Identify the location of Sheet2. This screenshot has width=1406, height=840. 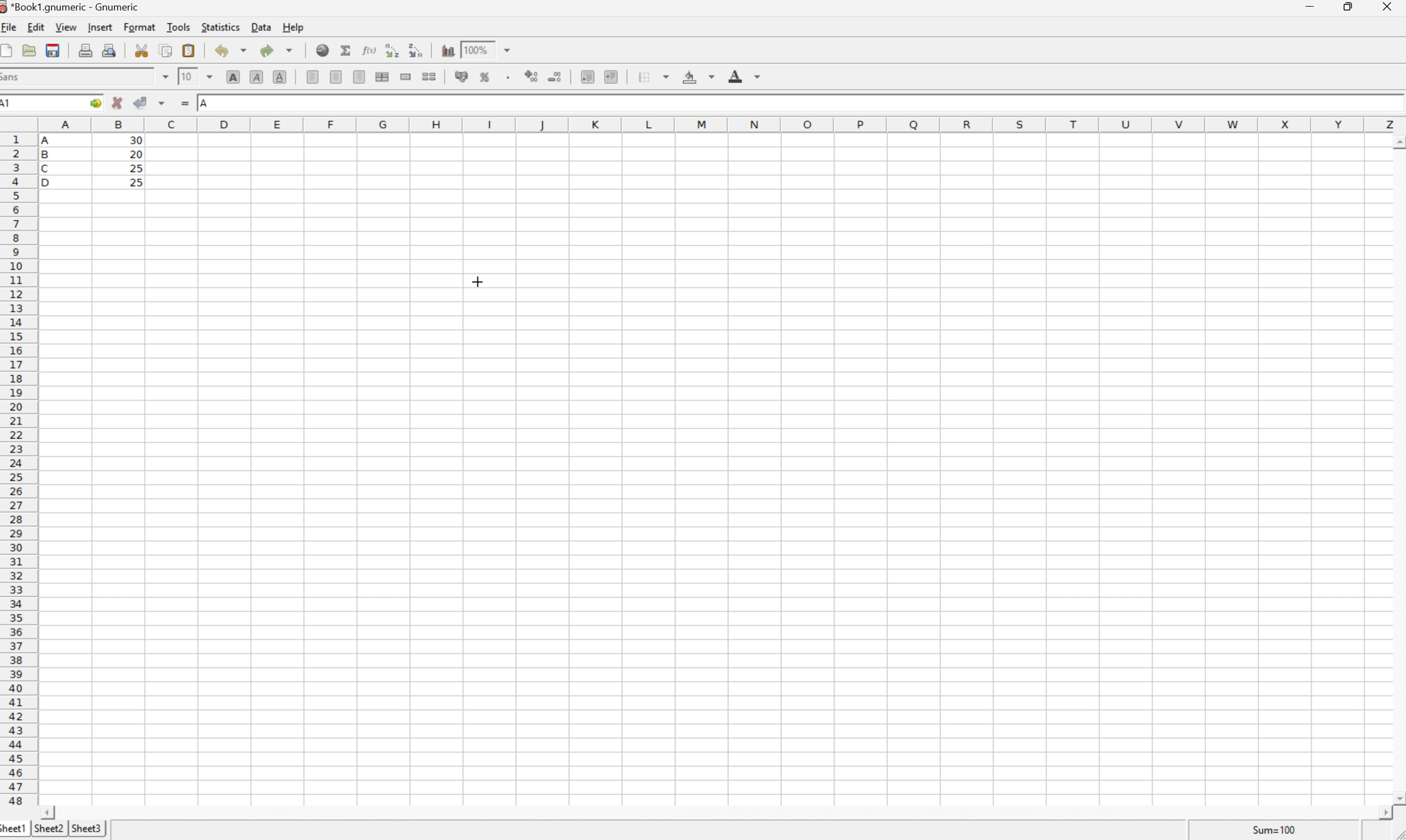
(49, 829).